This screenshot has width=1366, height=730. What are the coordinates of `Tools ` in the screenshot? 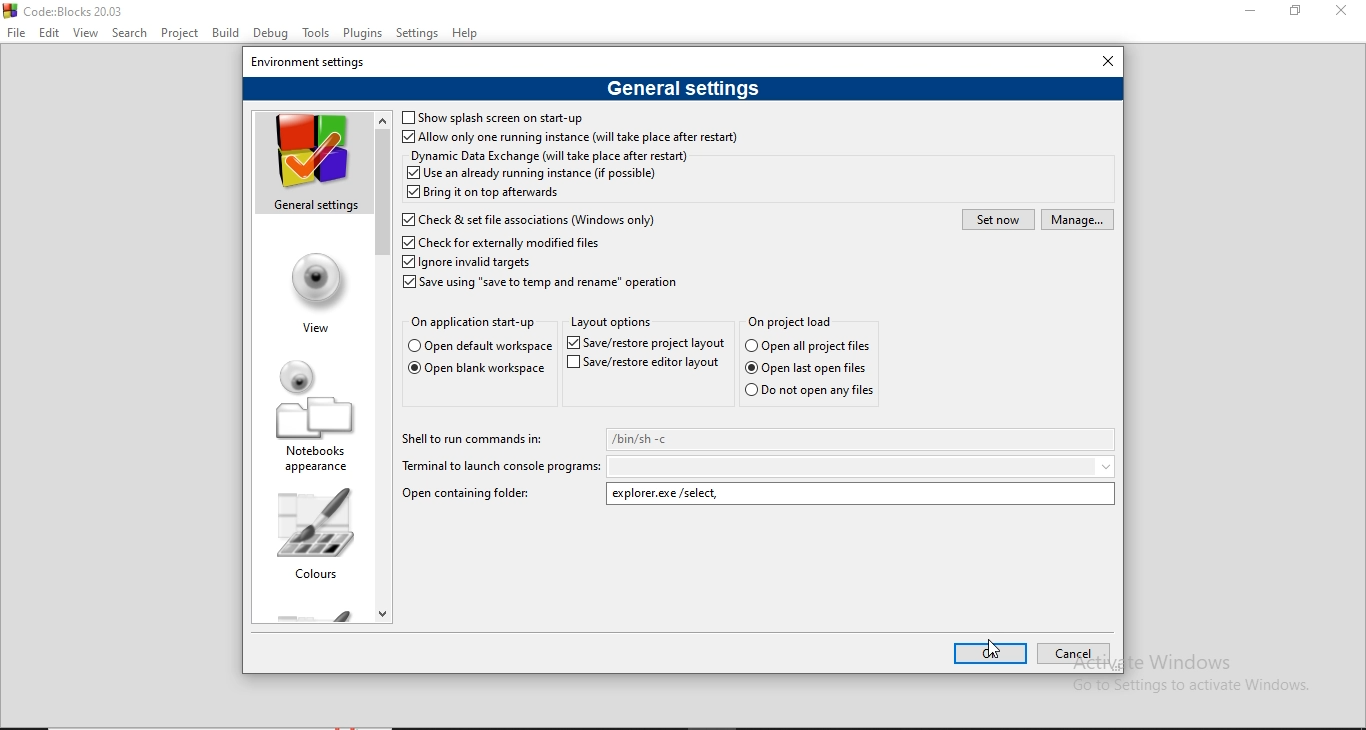 It's located at (316, 33).